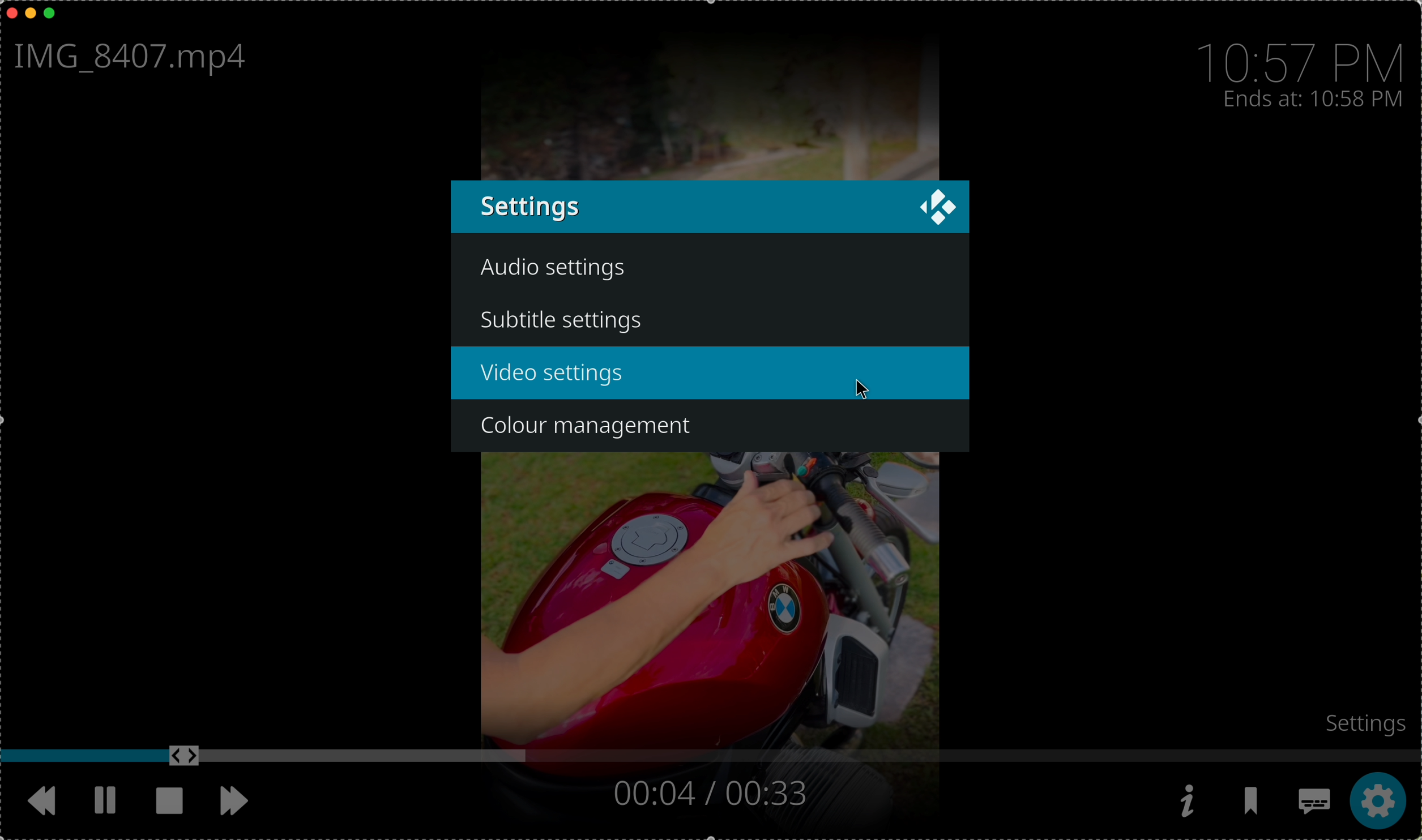 This screenshot has height=840, width=1422. I want to click on click on settings, so click(1375, 802).